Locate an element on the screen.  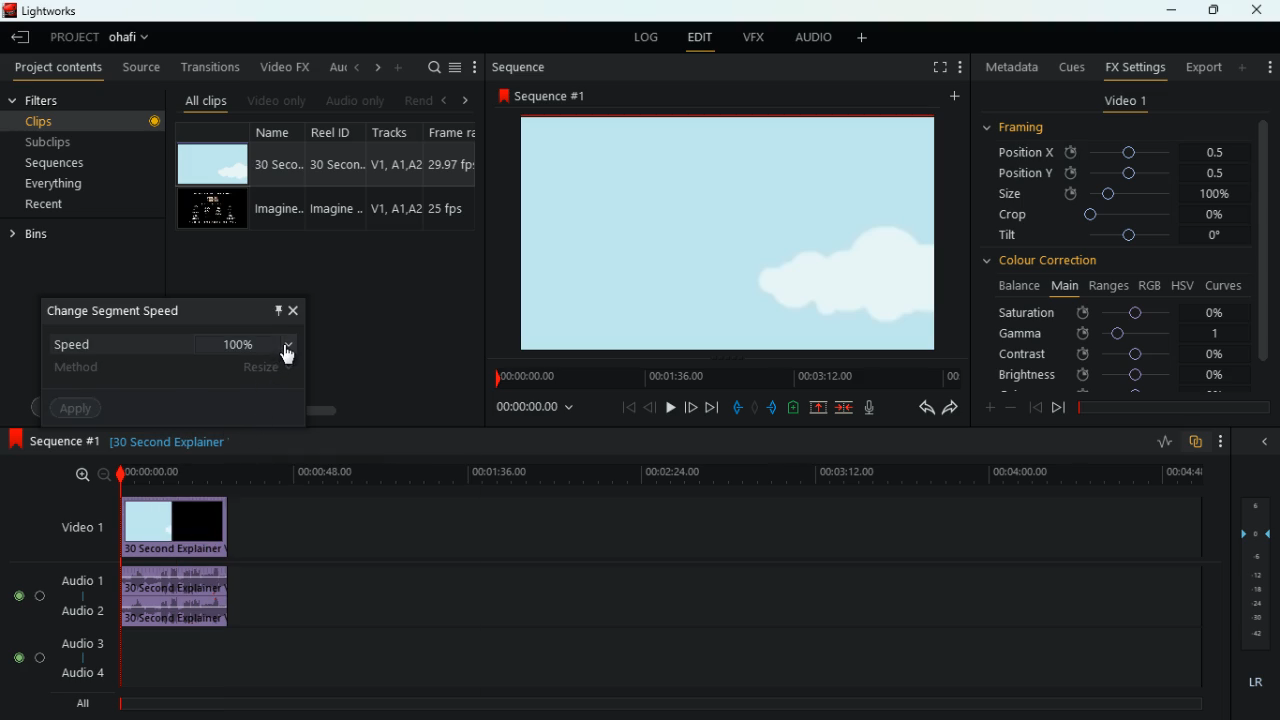
cues is located at coordinates (1067, 66).